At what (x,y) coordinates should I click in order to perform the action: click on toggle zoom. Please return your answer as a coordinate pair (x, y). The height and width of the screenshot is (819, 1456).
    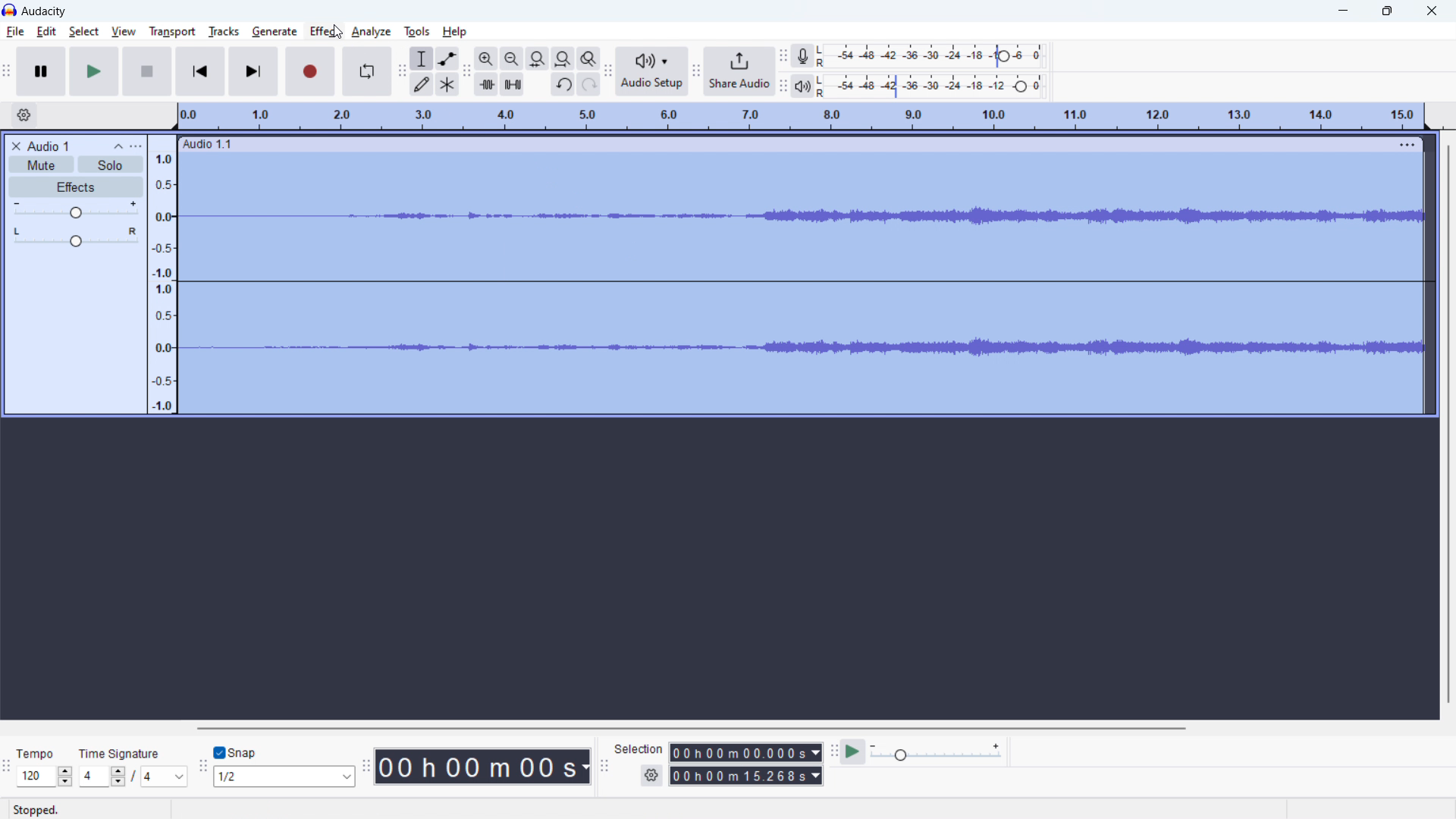
    Looking at the image, I should click on (589, 59).